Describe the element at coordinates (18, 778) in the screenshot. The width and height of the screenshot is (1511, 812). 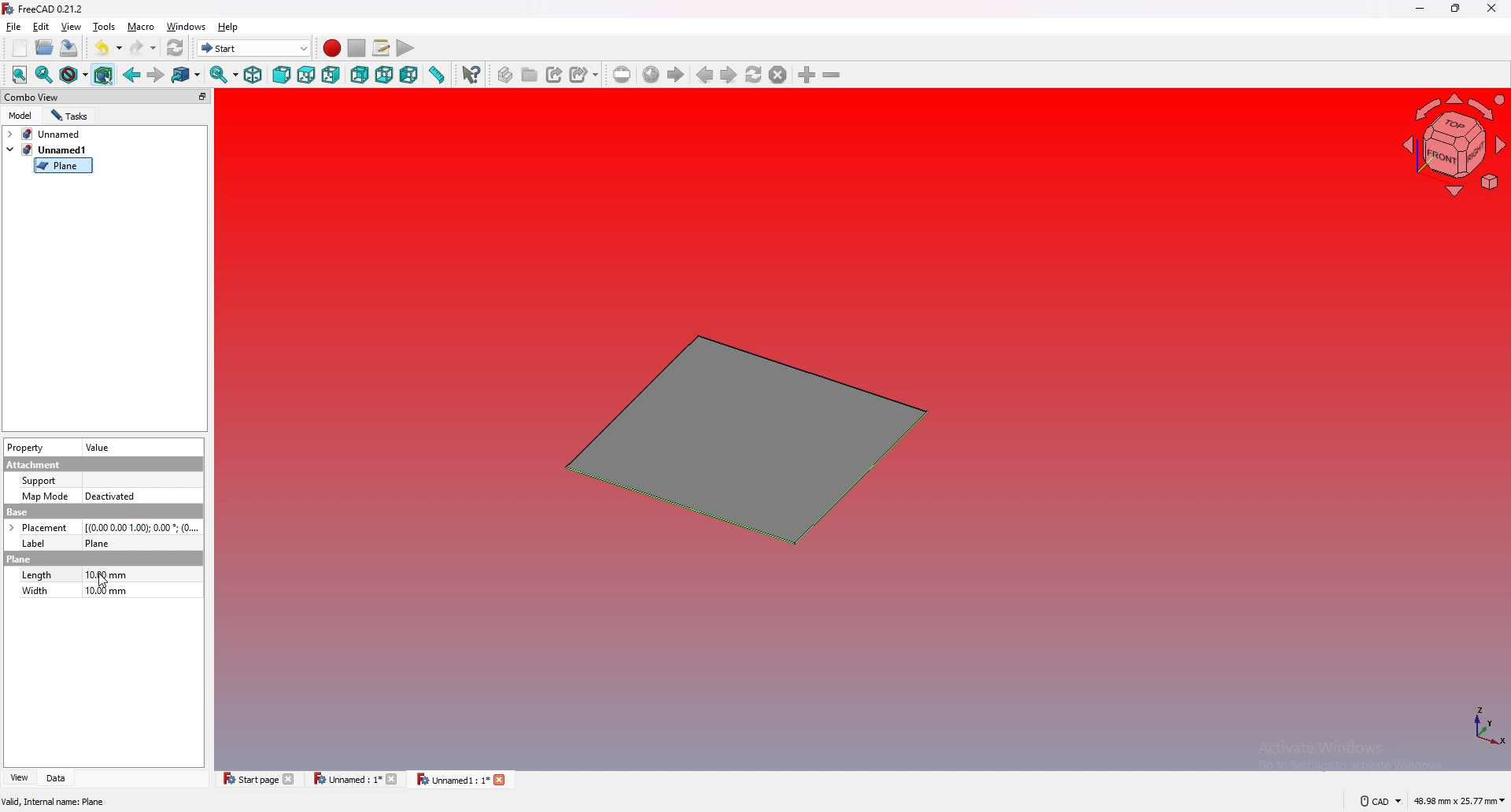
I see `view` at that location.